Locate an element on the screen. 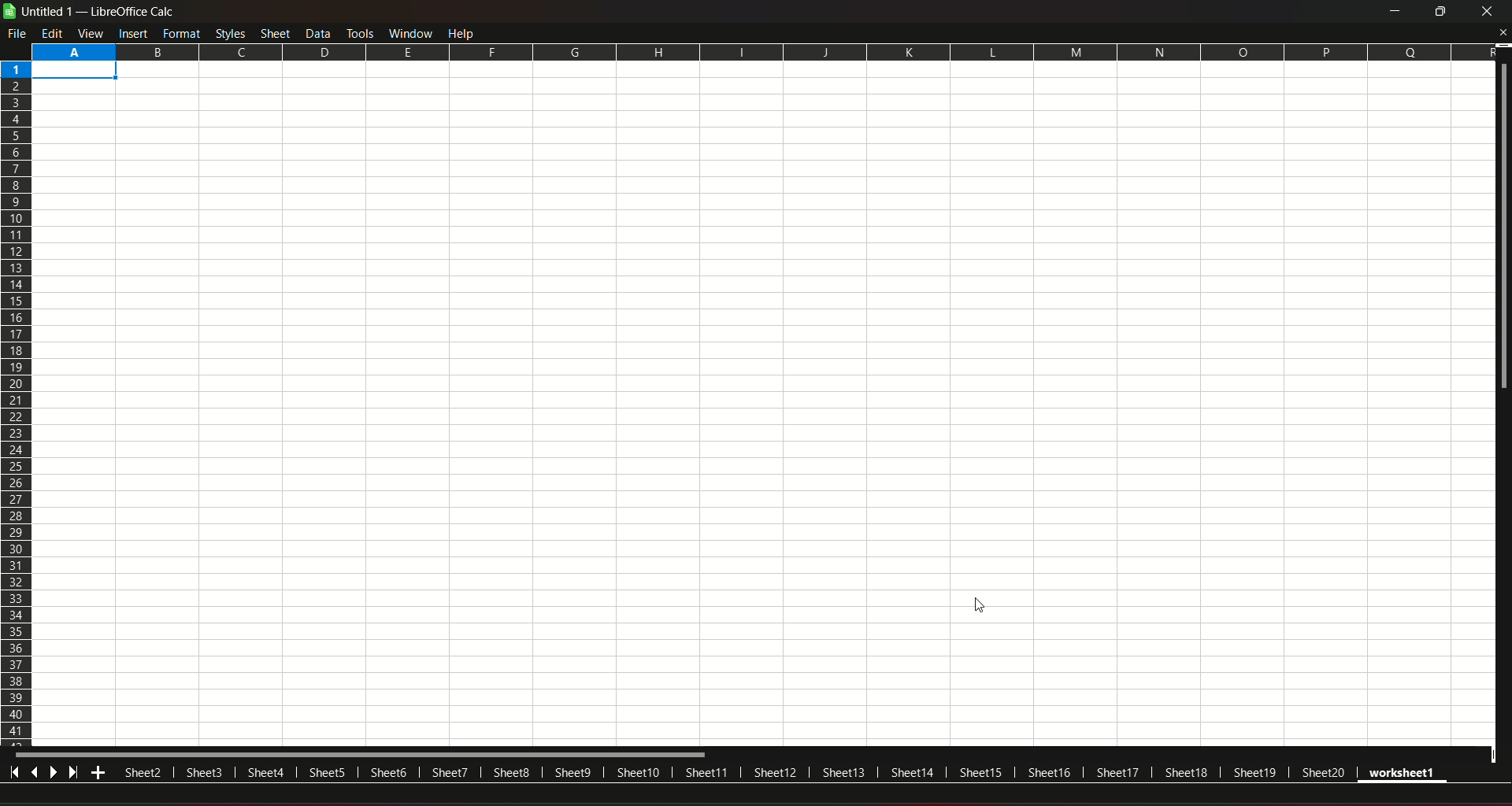 Image resolution: width=1512 pixels, height=806 pixels. Data is located at coordinates (320, 32).